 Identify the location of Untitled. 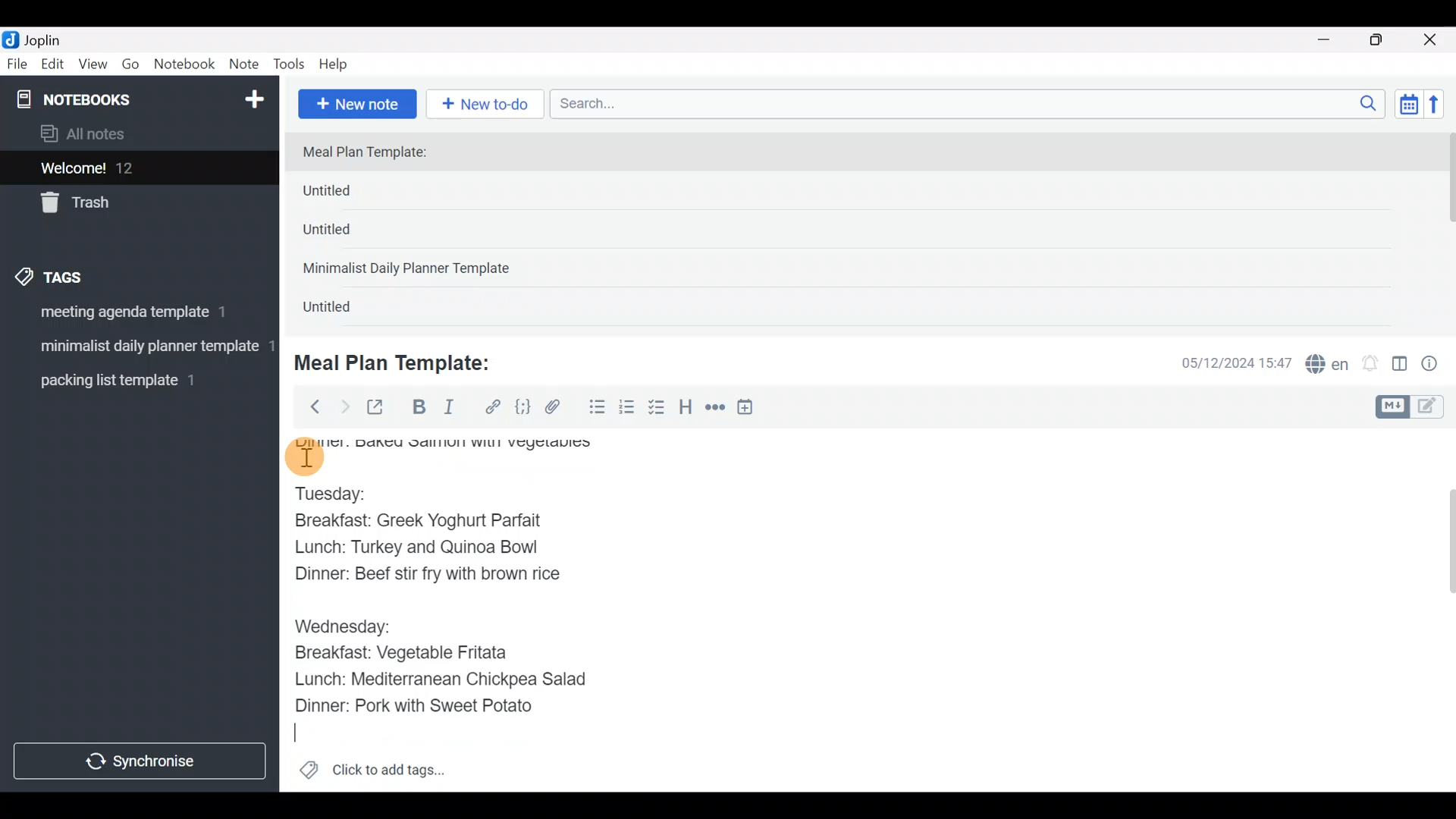
(347, 234).